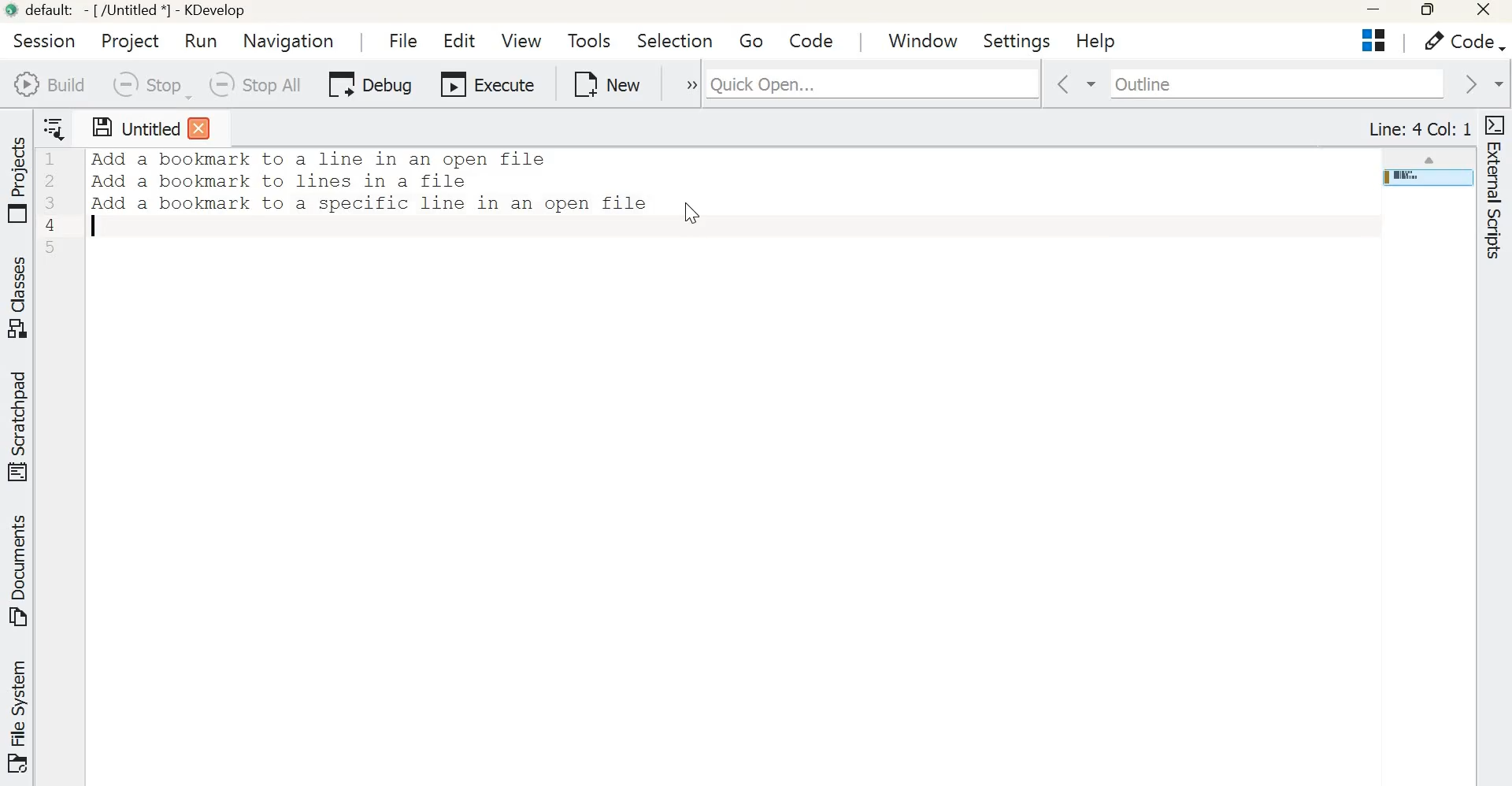 The width and height of the screenshot is (1512, 786). I want to click on New, so click(604, 82).